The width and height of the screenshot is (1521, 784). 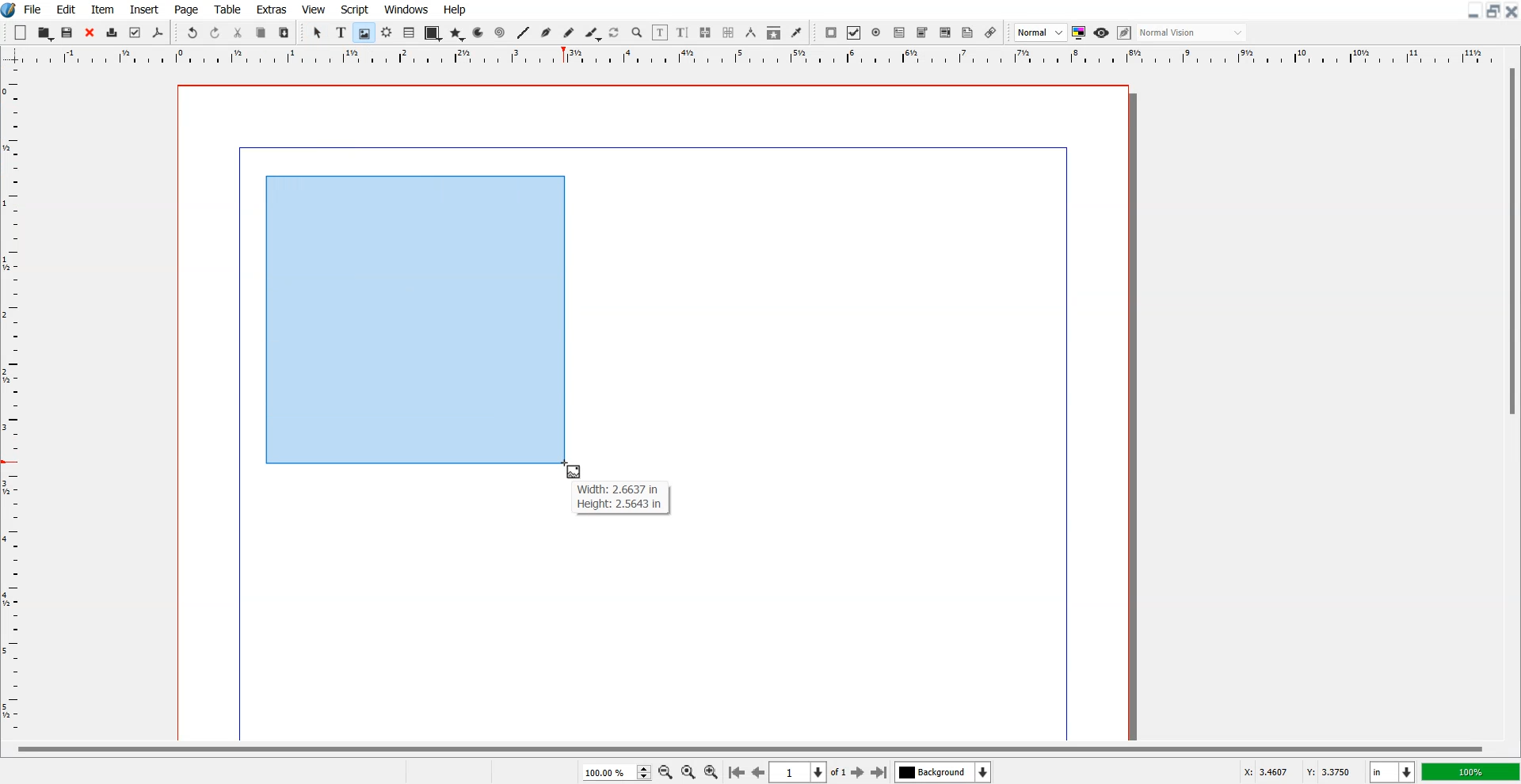 What do you see at coordinates (746, 747) in the screenshot?
I see `Horizontal scroll bar` at bounding box center [746, 747].